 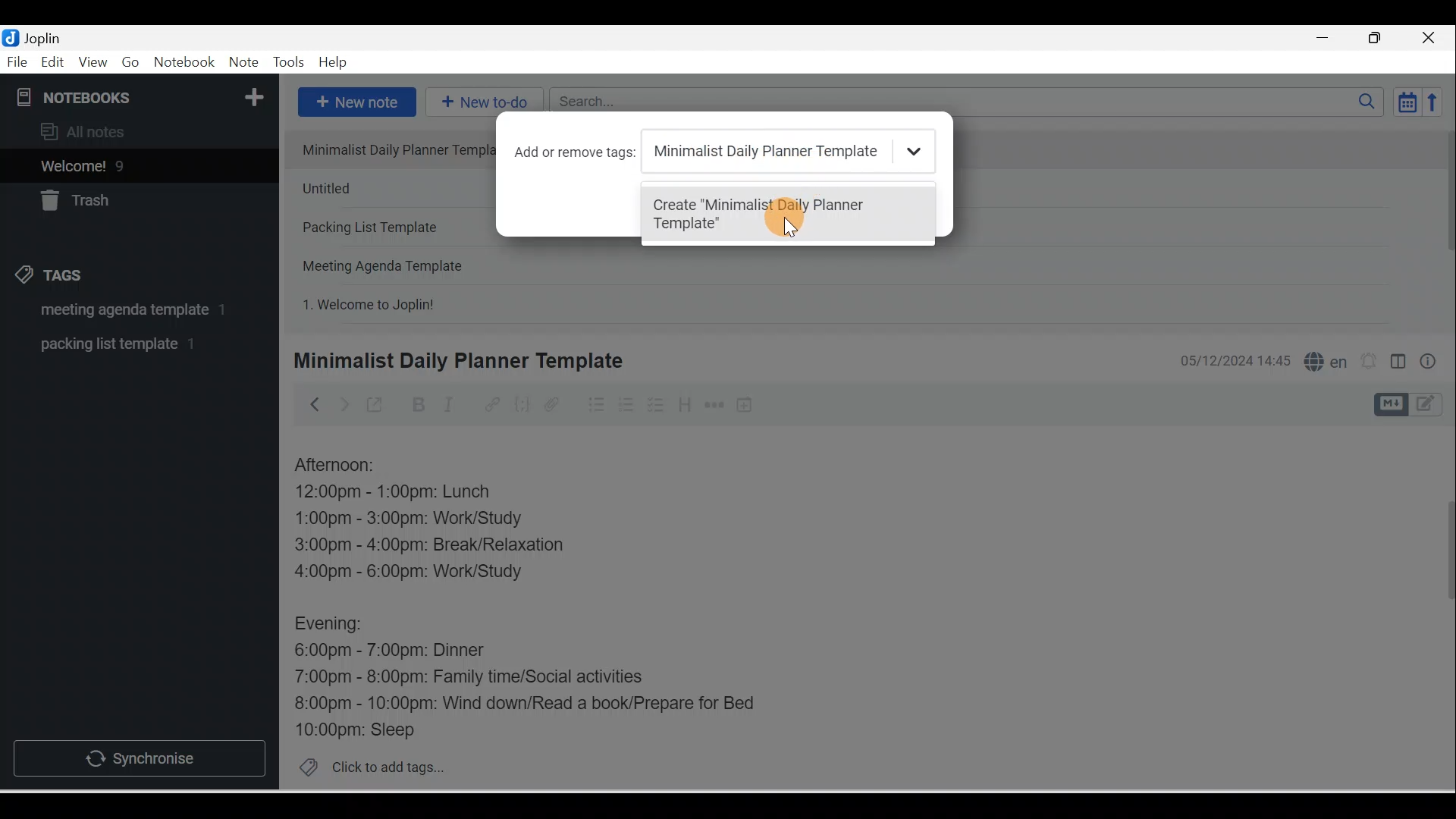 What do you see at coordinates (138, 755) in the screenshot?
I see `Synchronise` at bounding box center [138, 755].